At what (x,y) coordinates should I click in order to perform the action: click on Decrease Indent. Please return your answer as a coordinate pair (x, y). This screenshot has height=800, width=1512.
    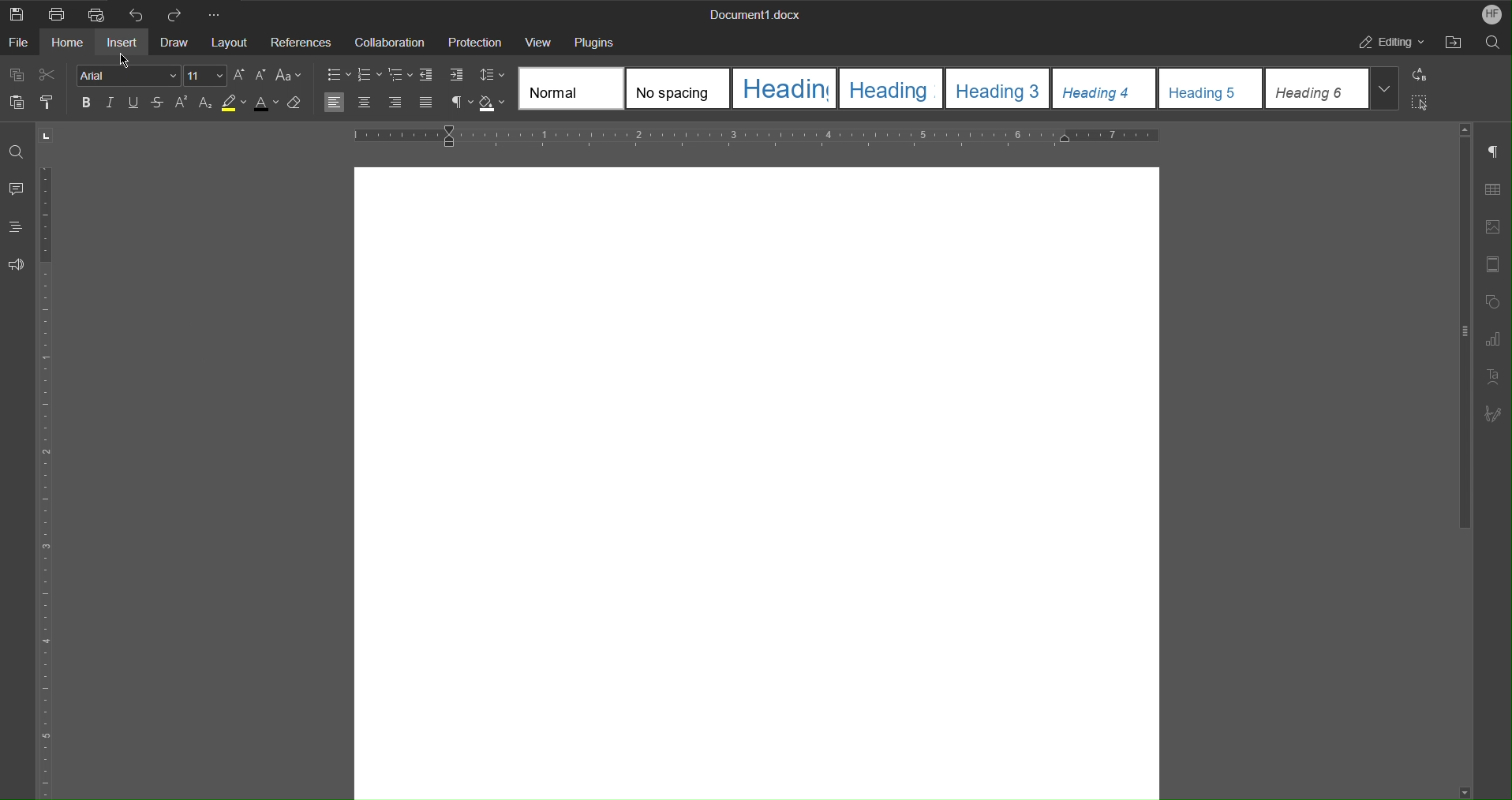
    Looking at the image, I should click on (427, 75).